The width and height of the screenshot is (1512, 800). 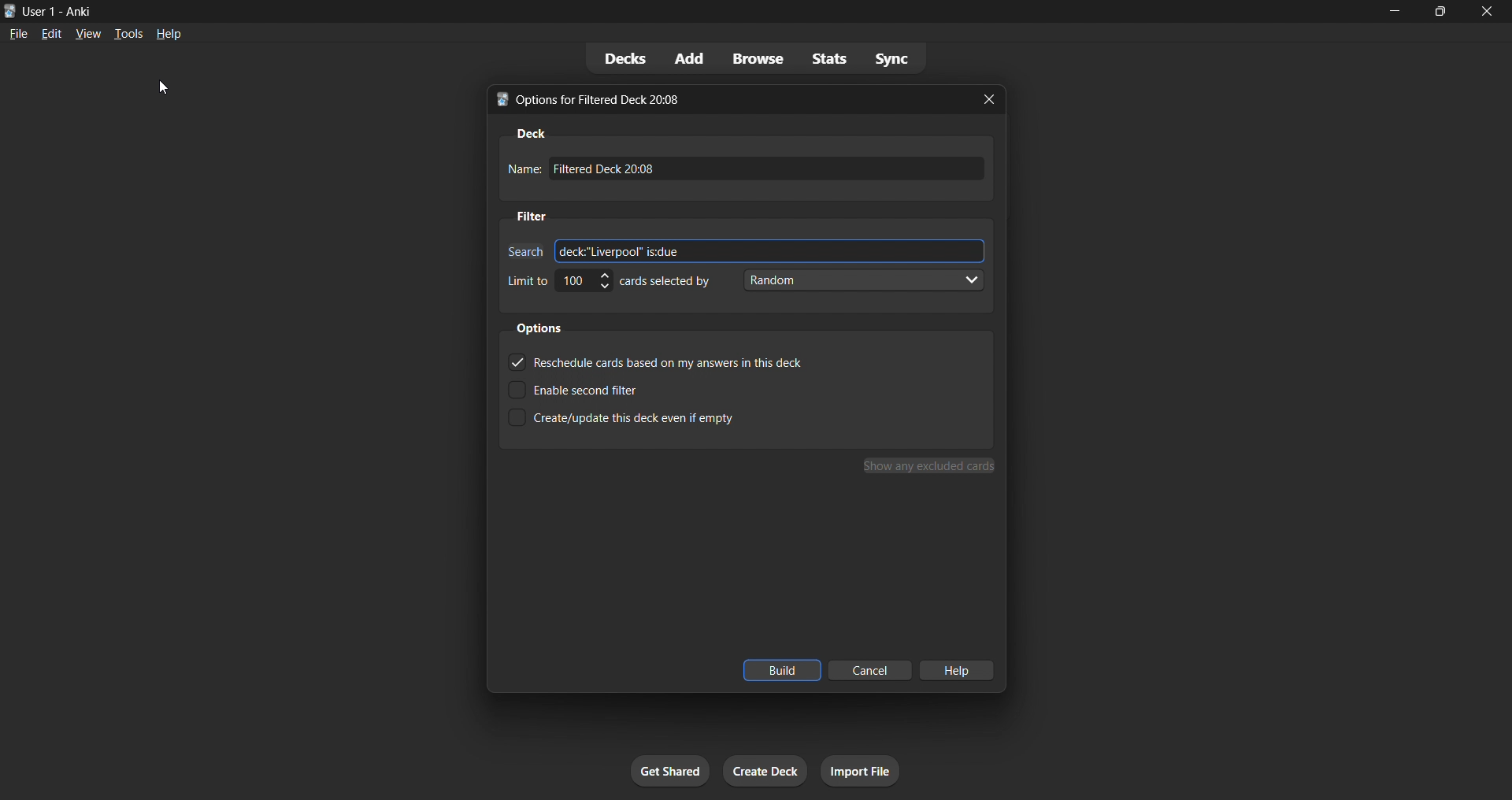 I want to click on create deck, so click(x=762, y=770).